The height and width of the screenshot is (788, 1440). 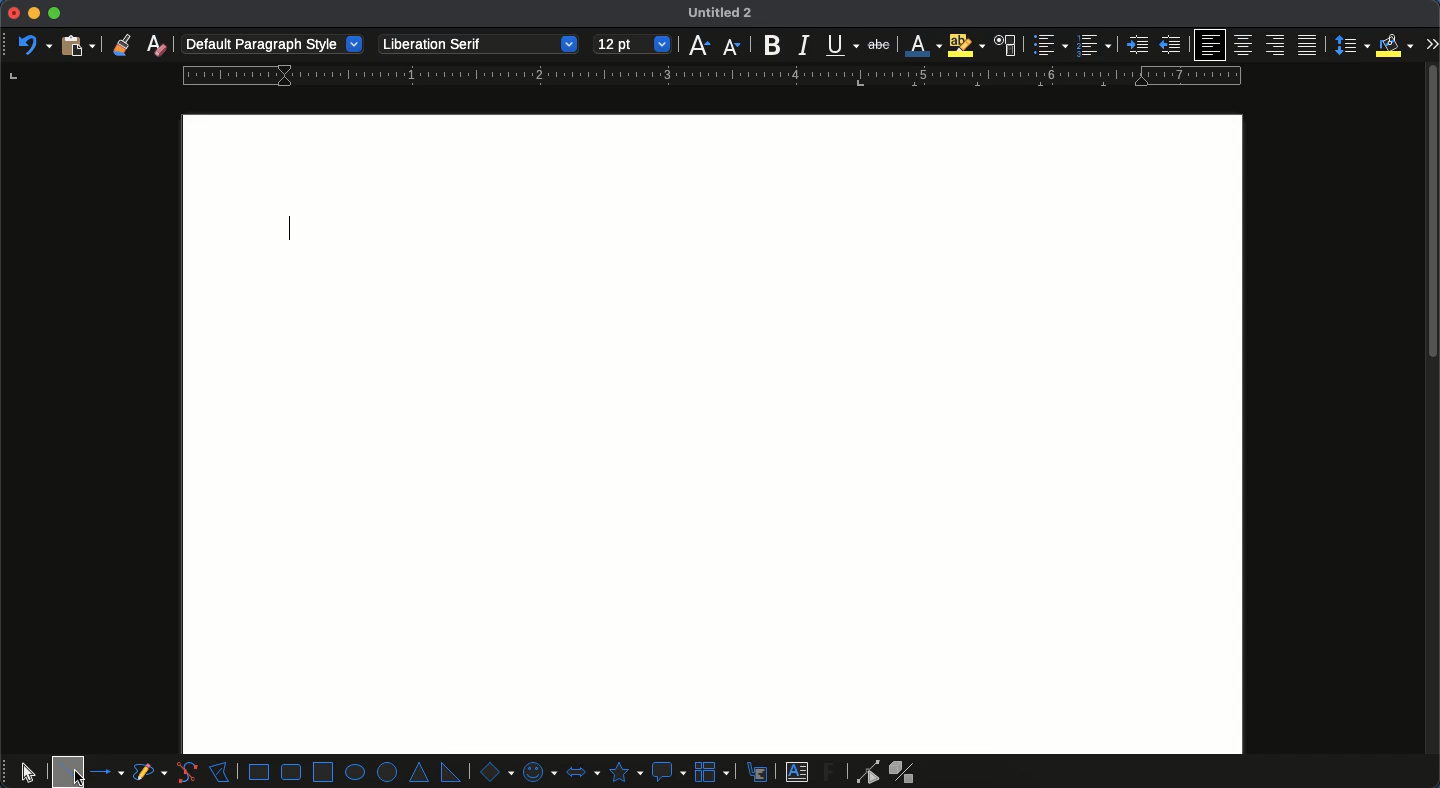 What do you see at coordinates (76, 45) in the screenshot?
I see `paste` at bounding box center [76, 45].